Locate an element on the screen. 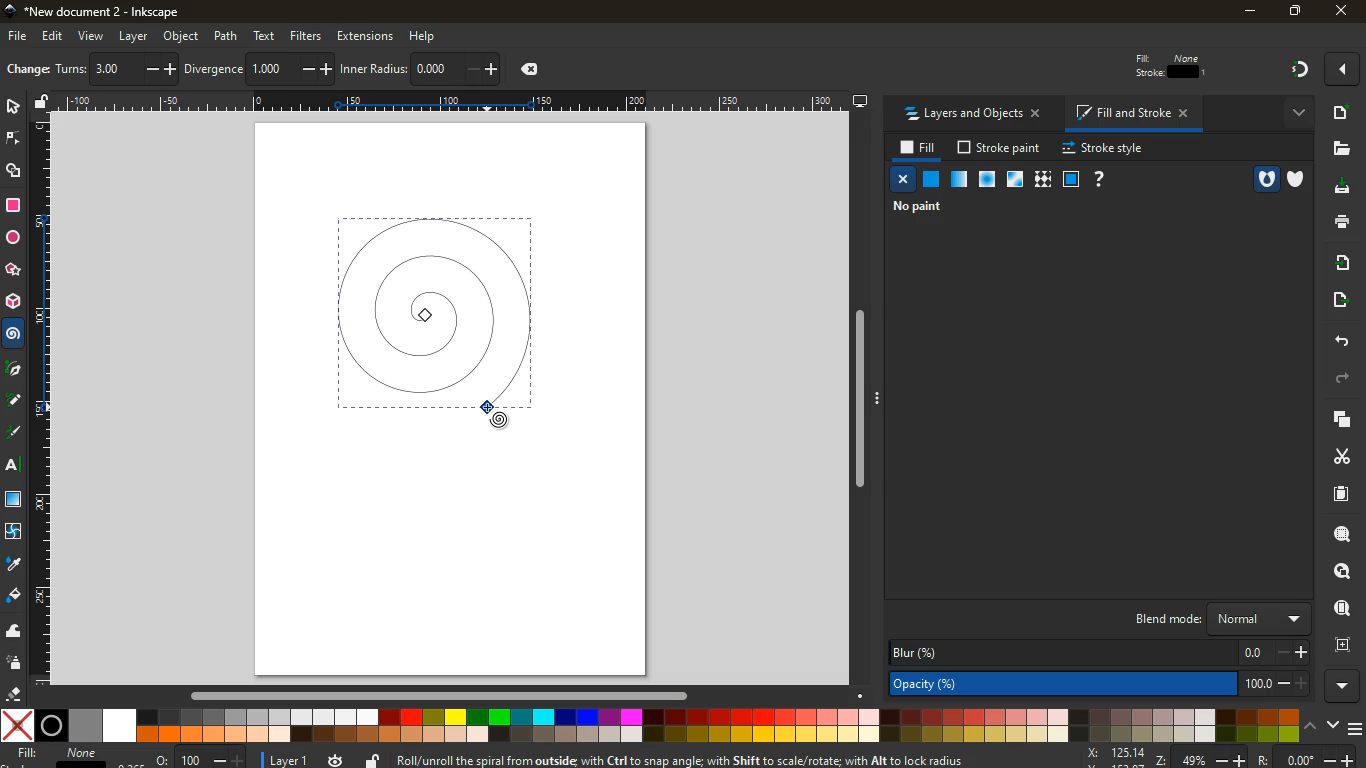 The width and height of the screenshot is (1366, 768). star is located at coordinates (11, 270).